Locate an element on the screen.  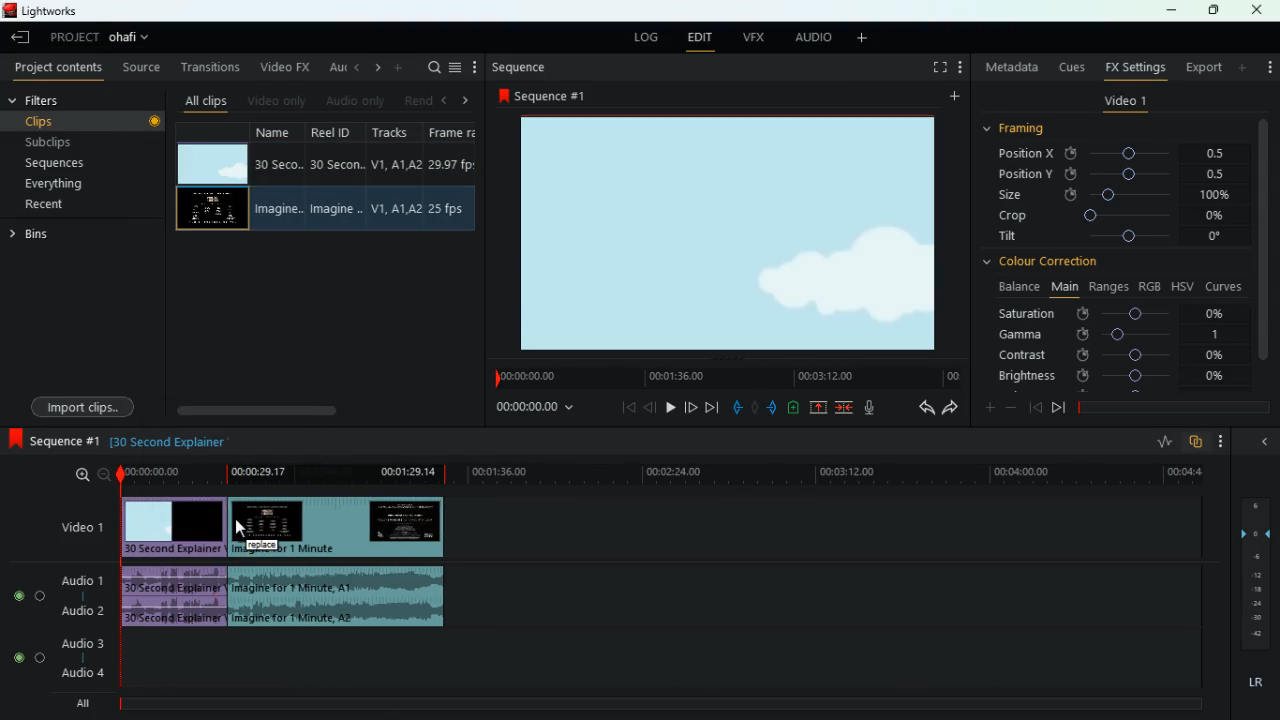
forward is located at coordinates (711, 408).